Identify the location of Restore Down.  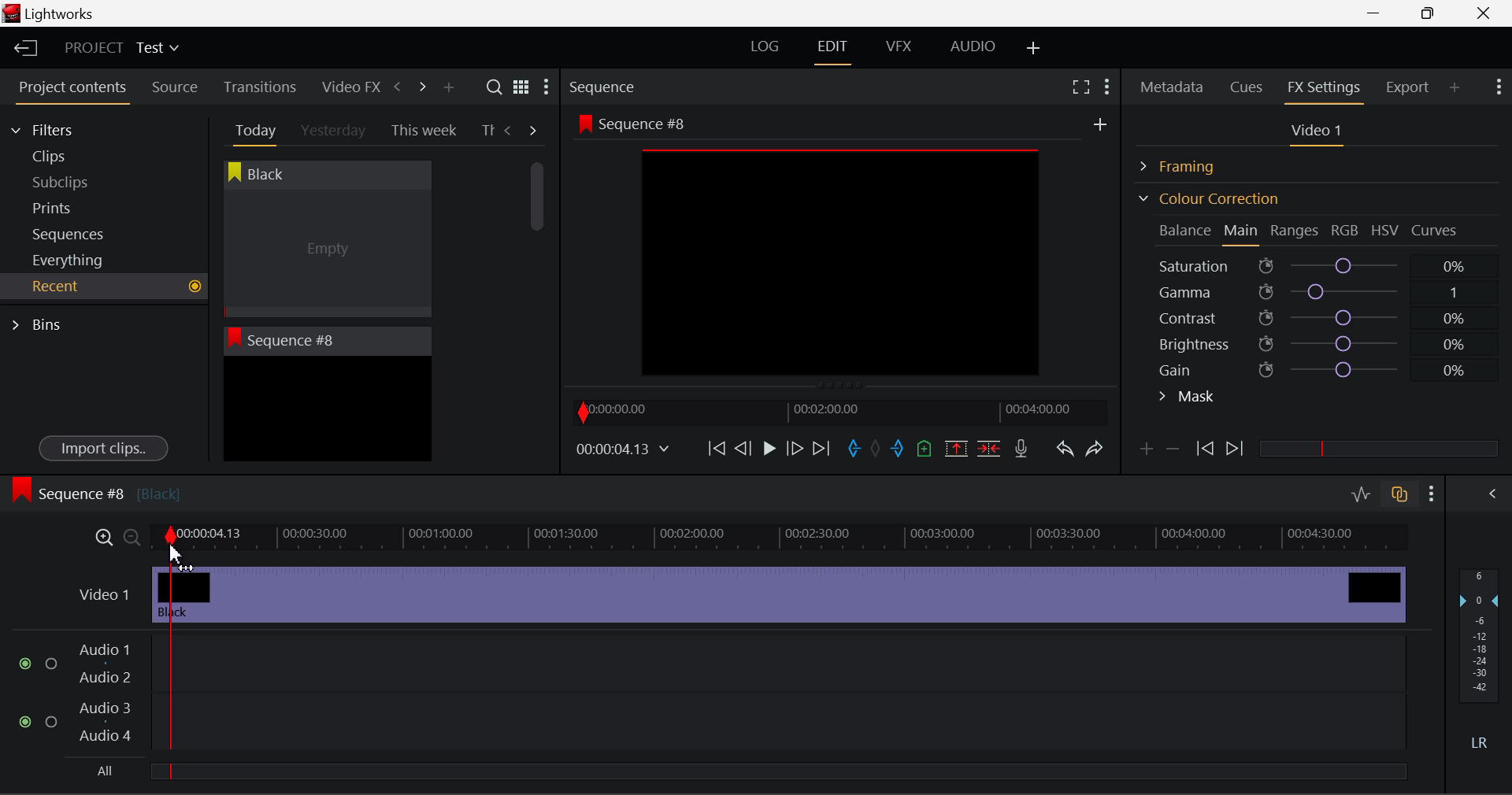
(1379, 13).